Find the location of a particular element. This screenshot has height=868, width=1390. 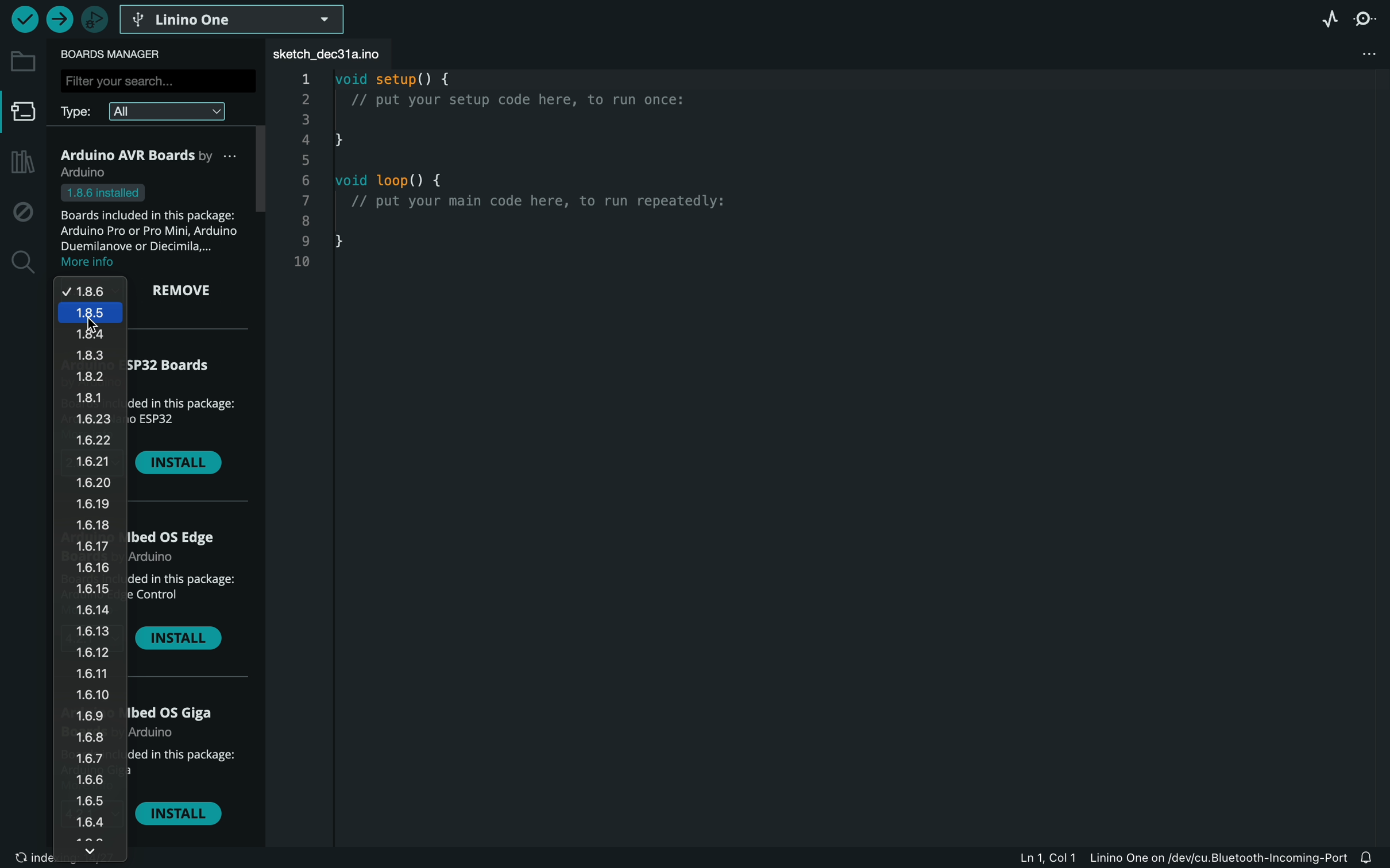

serial monitor is located at coordinates (1369, 18).